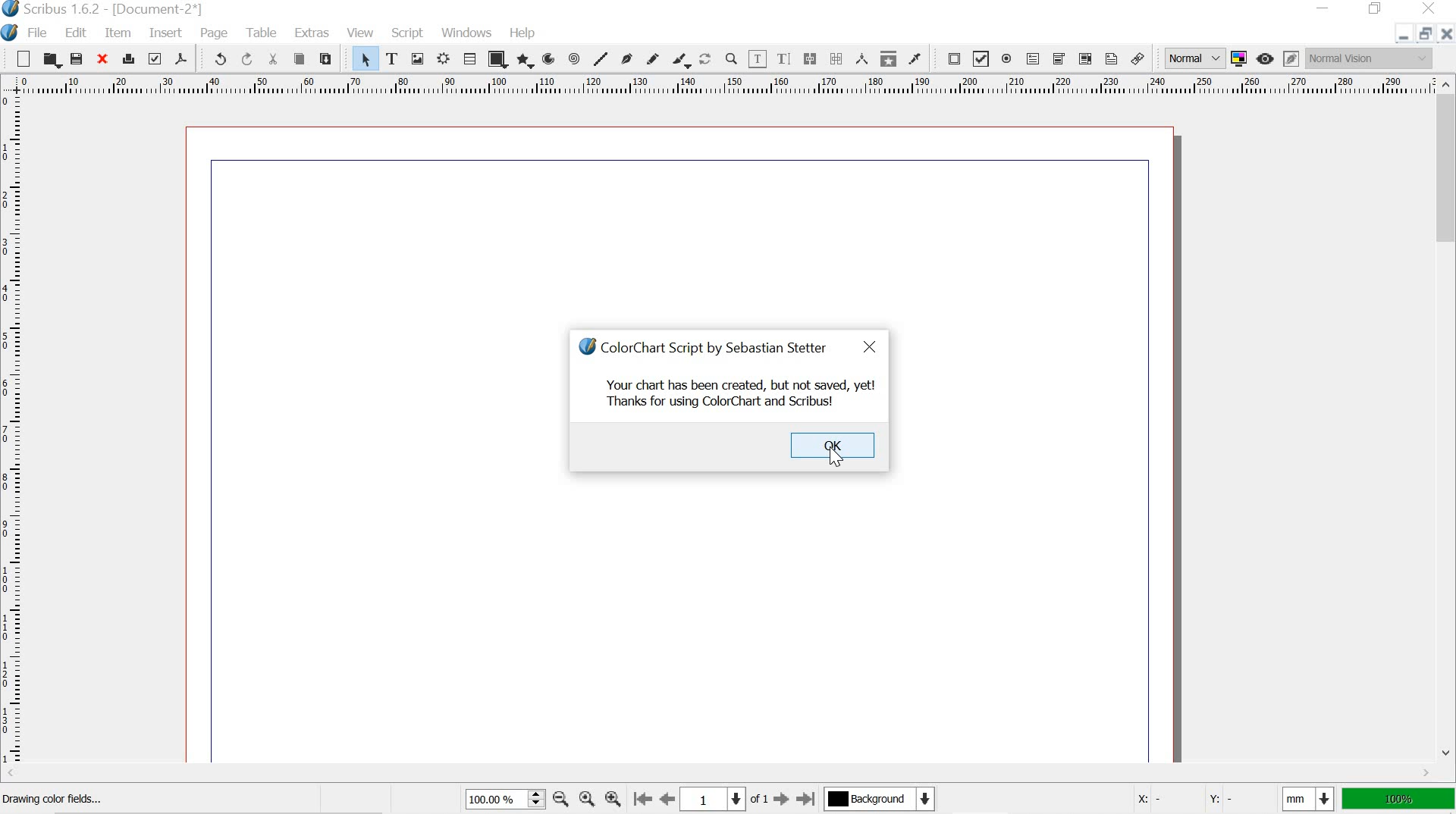 The width and height of the screenshot is (1456, 814). Describe the element at coordinates (682, 61) in the screenshot. I see `calligraphic line` at that location.